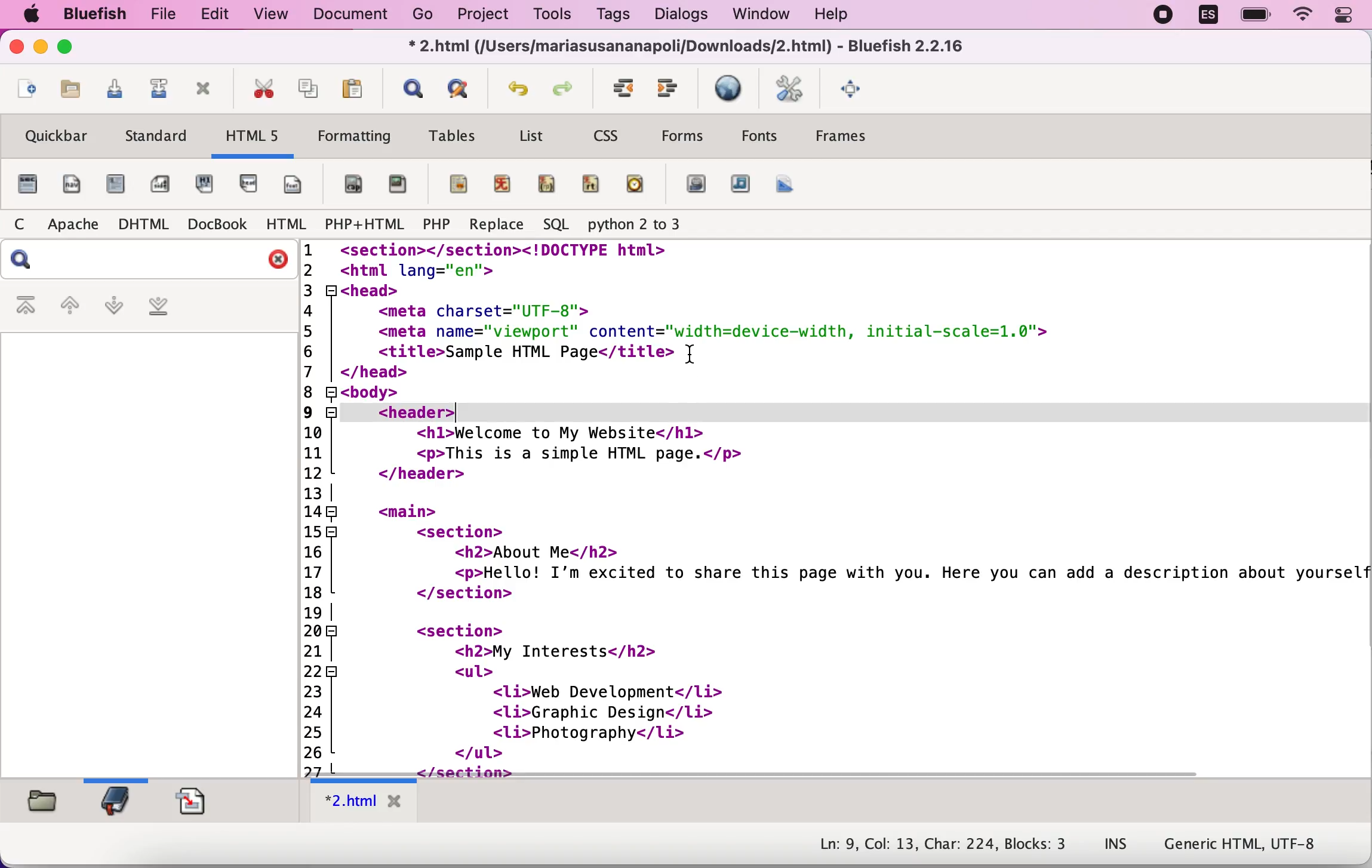 The width and height of the screenshot is (1372, 868). What do you see at coordinates (485, 15) in the screenshot?
I see `project` at bounding box center [485, 15].